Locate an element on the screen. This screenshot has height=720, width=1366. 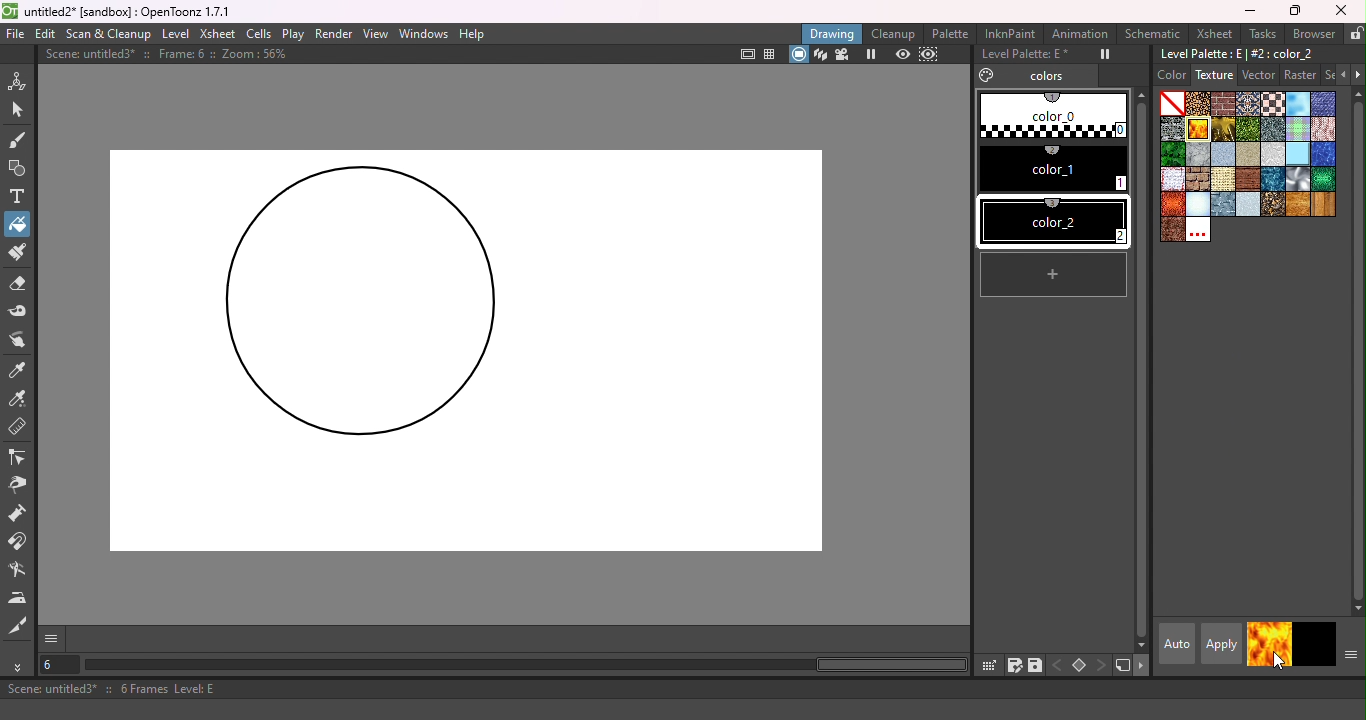
woodgran.bmp is located at coordinates (1298, 204).